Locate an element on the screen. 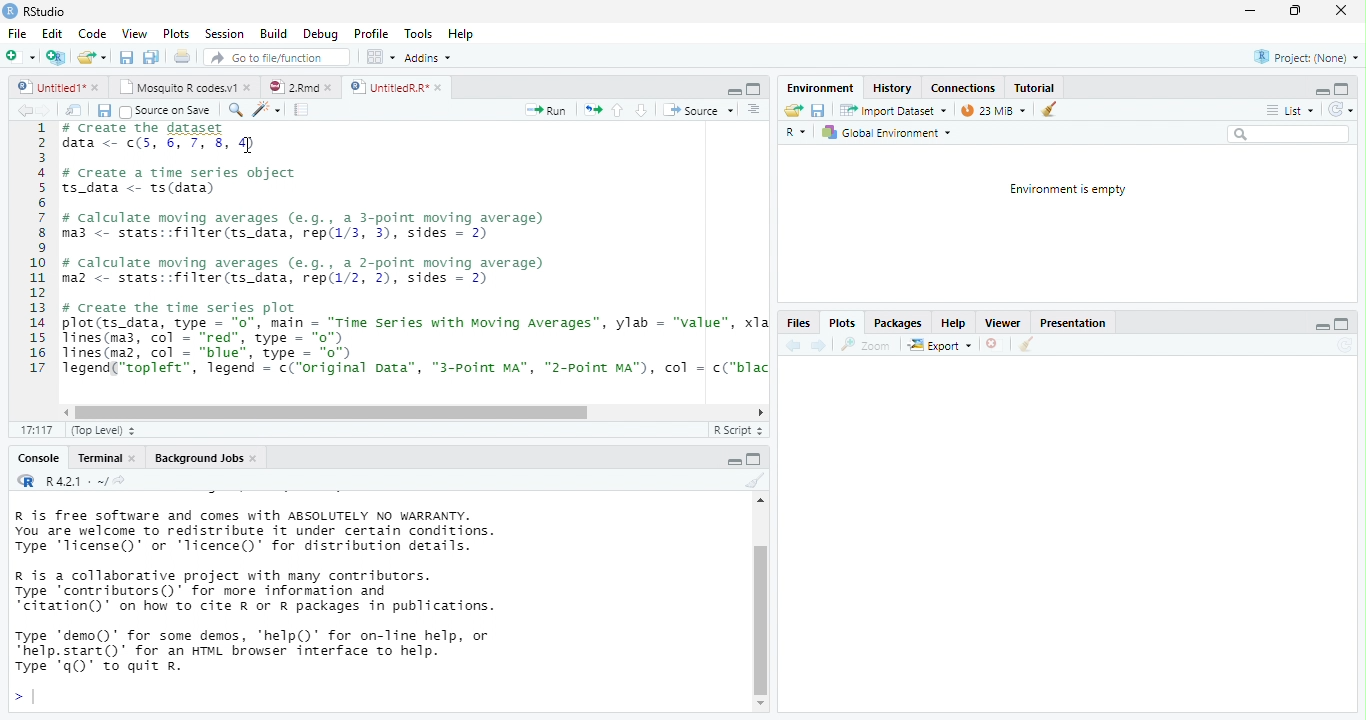 The width and height of the screenshot is (1366, 720). Help is located at coordinates (951, 323).